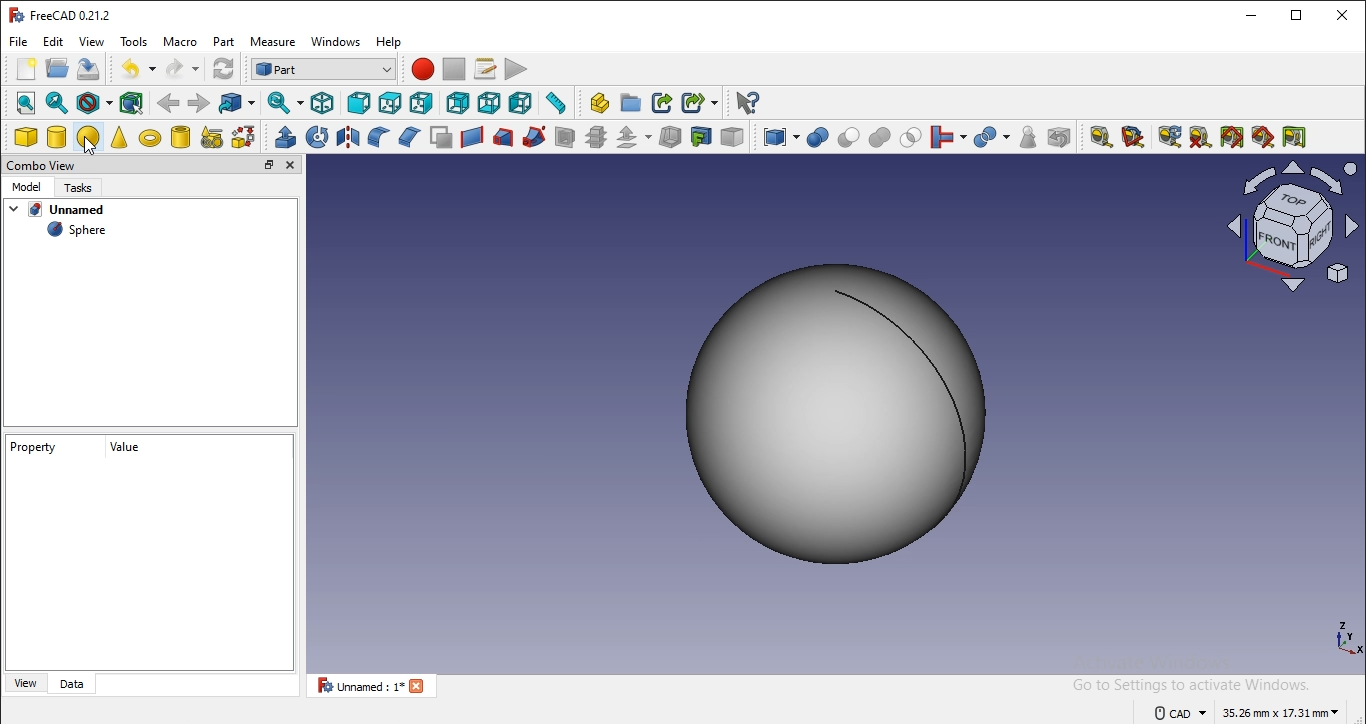  I want to click on sweep, so click(533, 137).